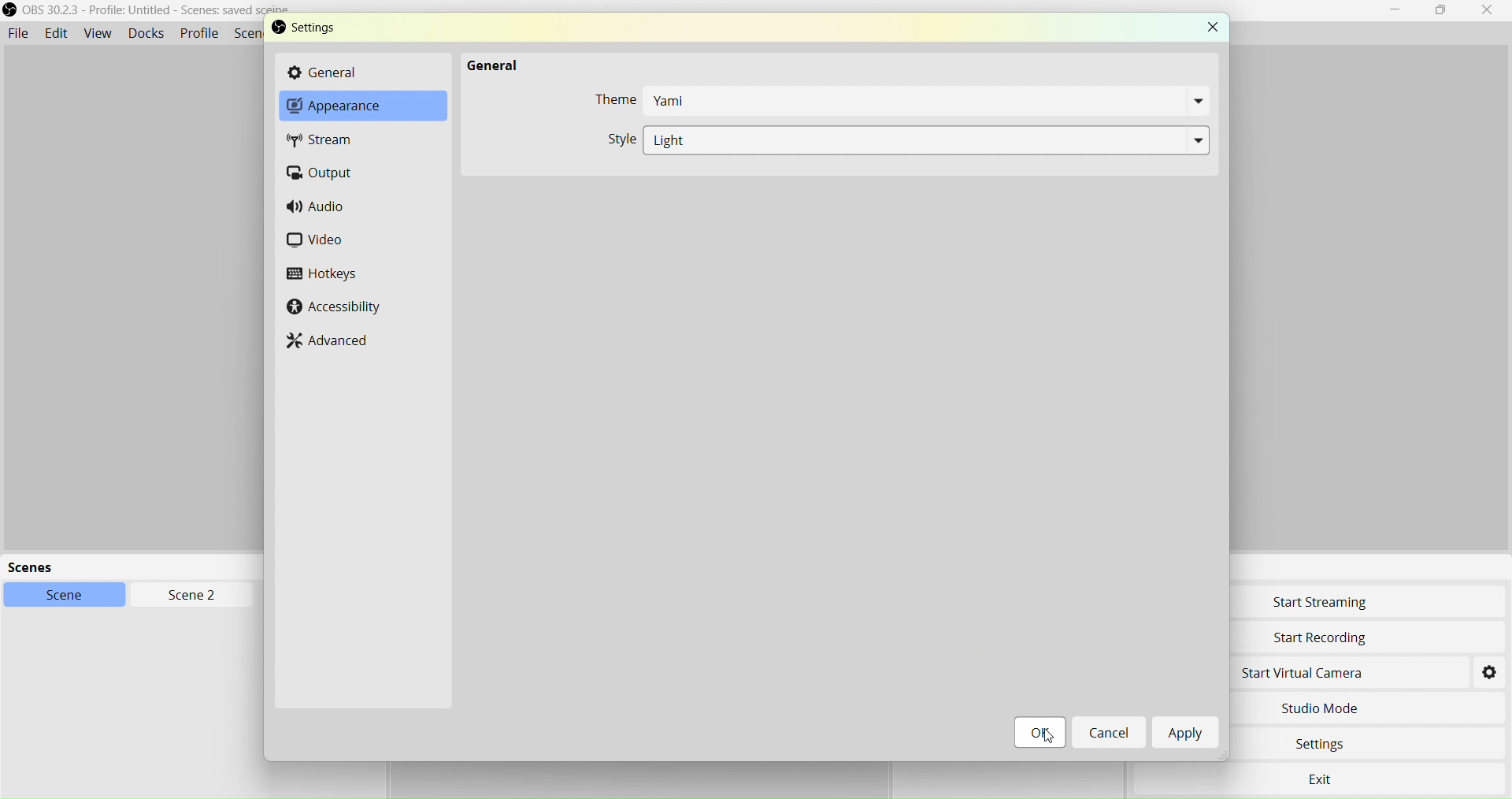 The height and width of the screenshot is (799, 1512). I want to click on Start Streaming, so click(1349, 604).